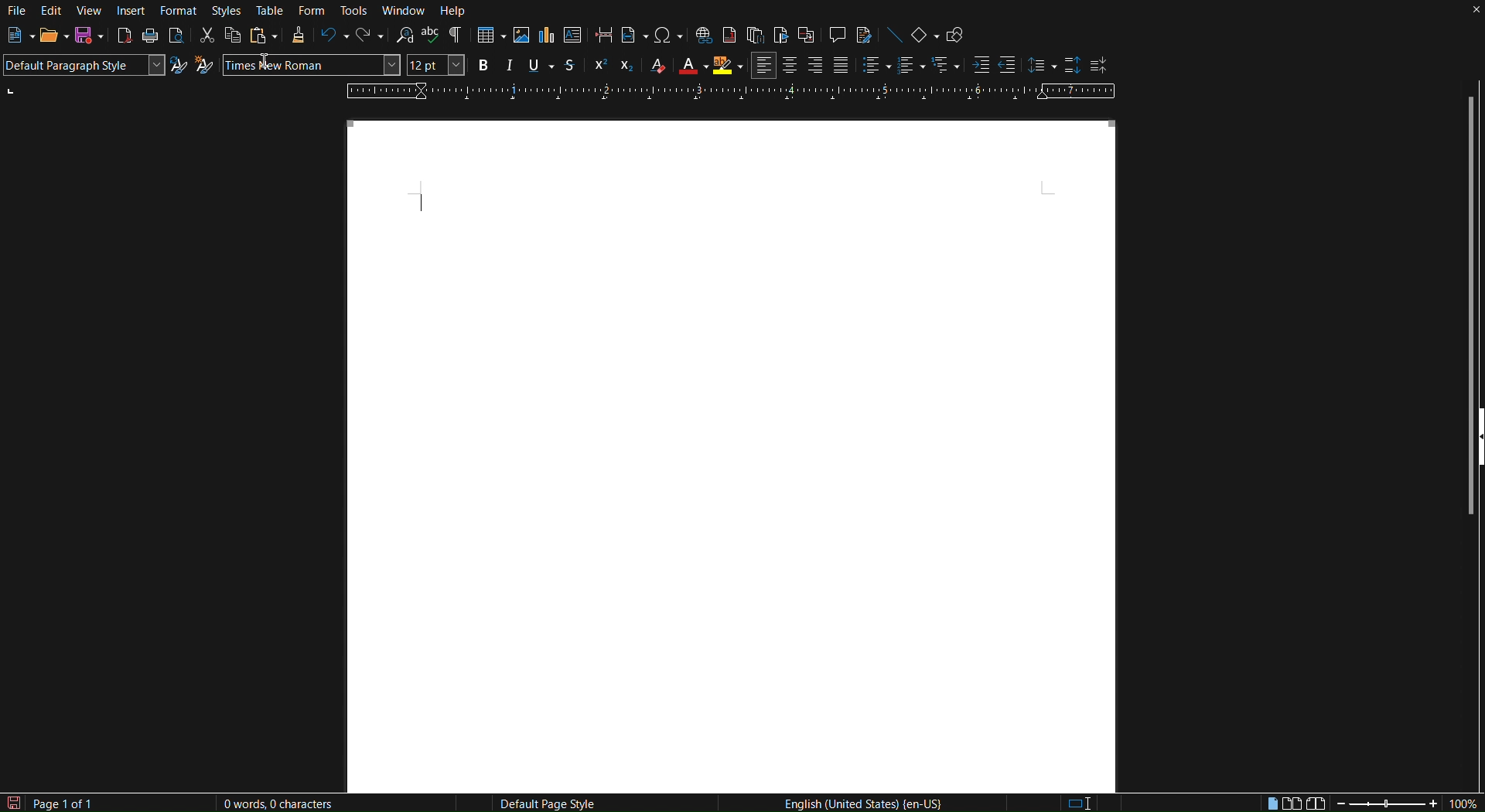 This screenshot has width=1485, height=812. Describe the element at coordinates (406, 11) in the screenshot. I see `Window` at that location.